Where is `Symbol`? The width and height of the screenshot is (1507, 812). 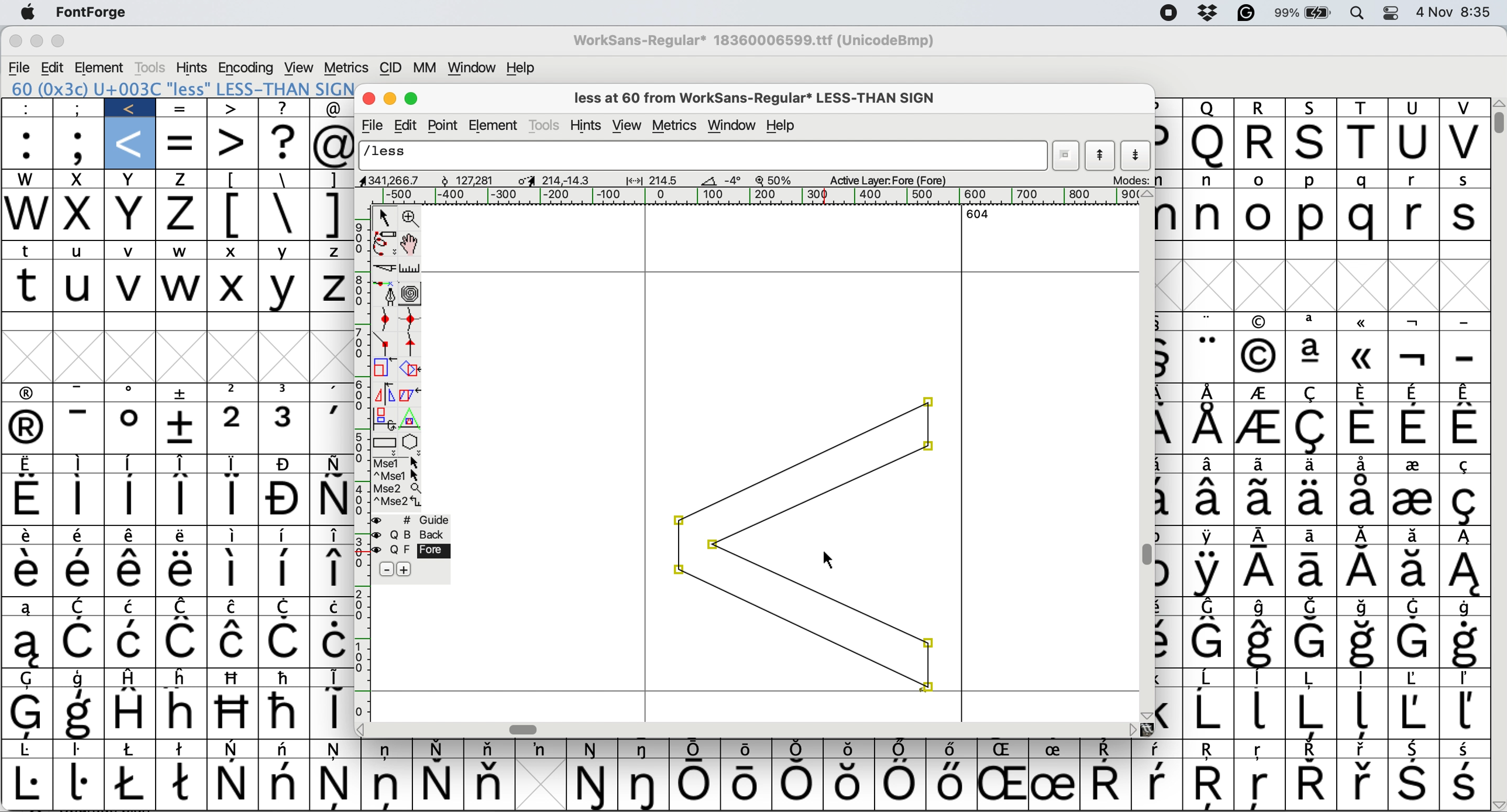 Symbol is located at coordinates (29, 609).